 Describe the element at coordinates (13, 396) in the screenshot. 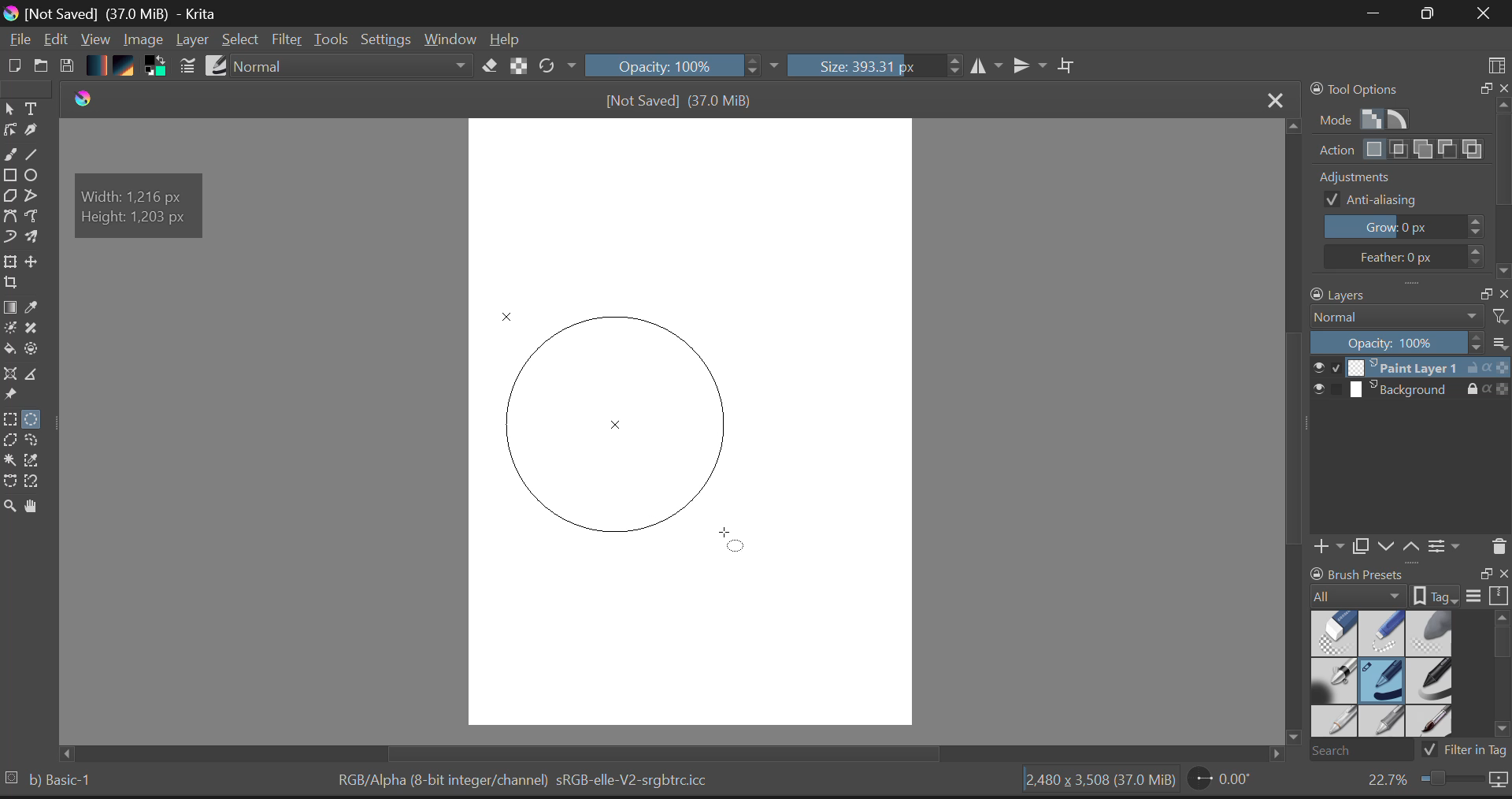

I see `Reference Images` at that location.